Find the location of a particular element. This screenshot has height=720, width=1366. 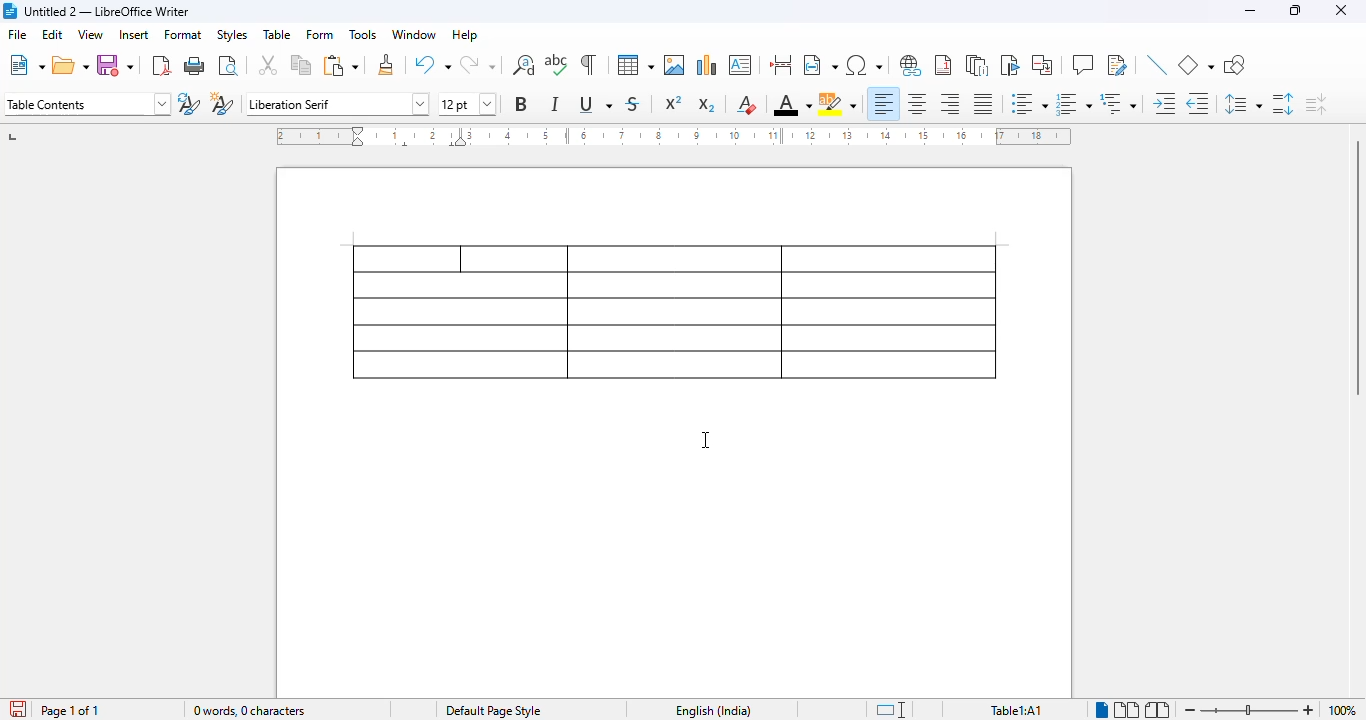

0 words, 0 characters is located at coordinates (248, 710).